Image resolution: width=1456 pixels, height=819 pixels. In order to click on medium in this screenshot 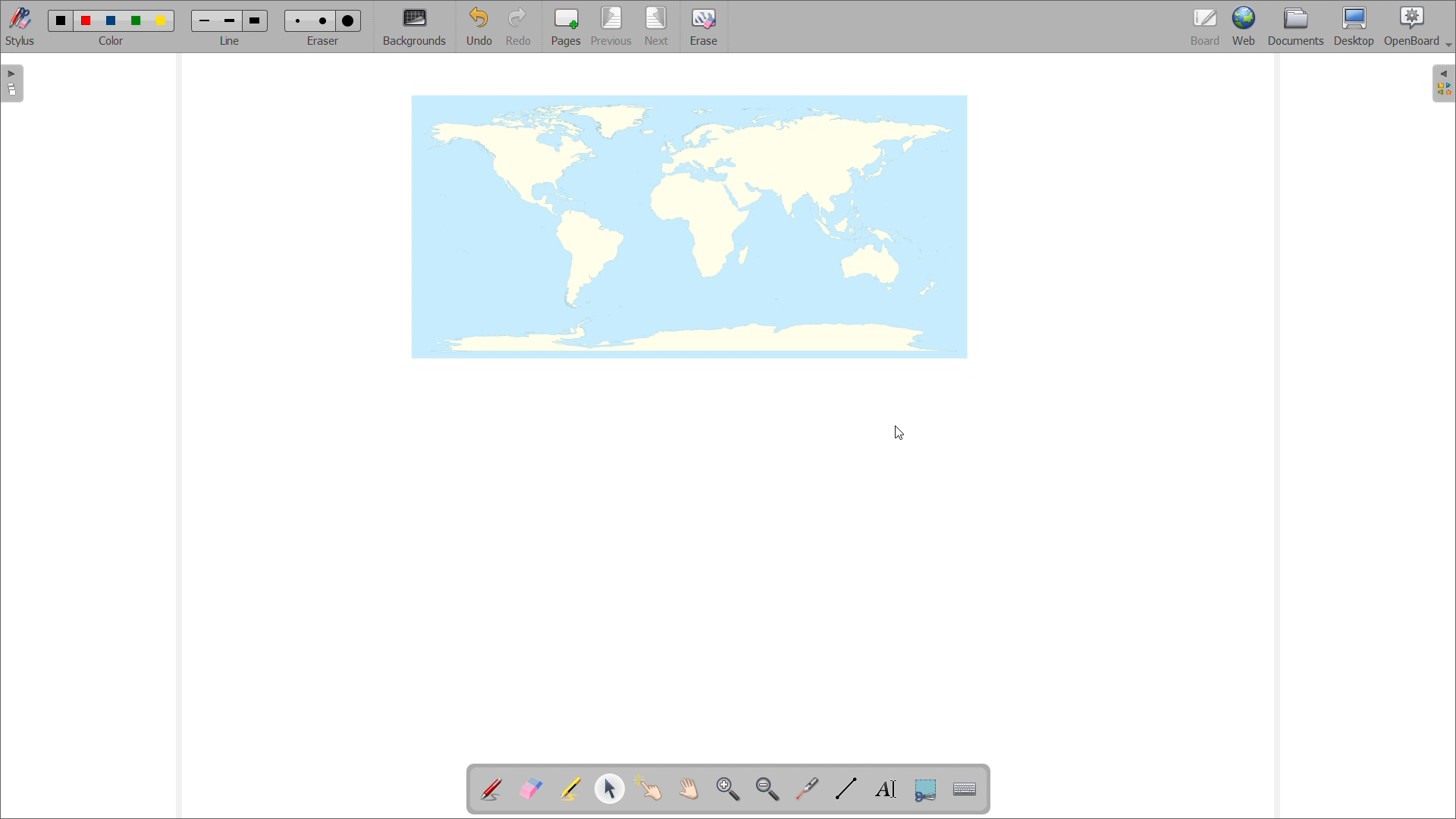, I will do `click(229, 22)`.